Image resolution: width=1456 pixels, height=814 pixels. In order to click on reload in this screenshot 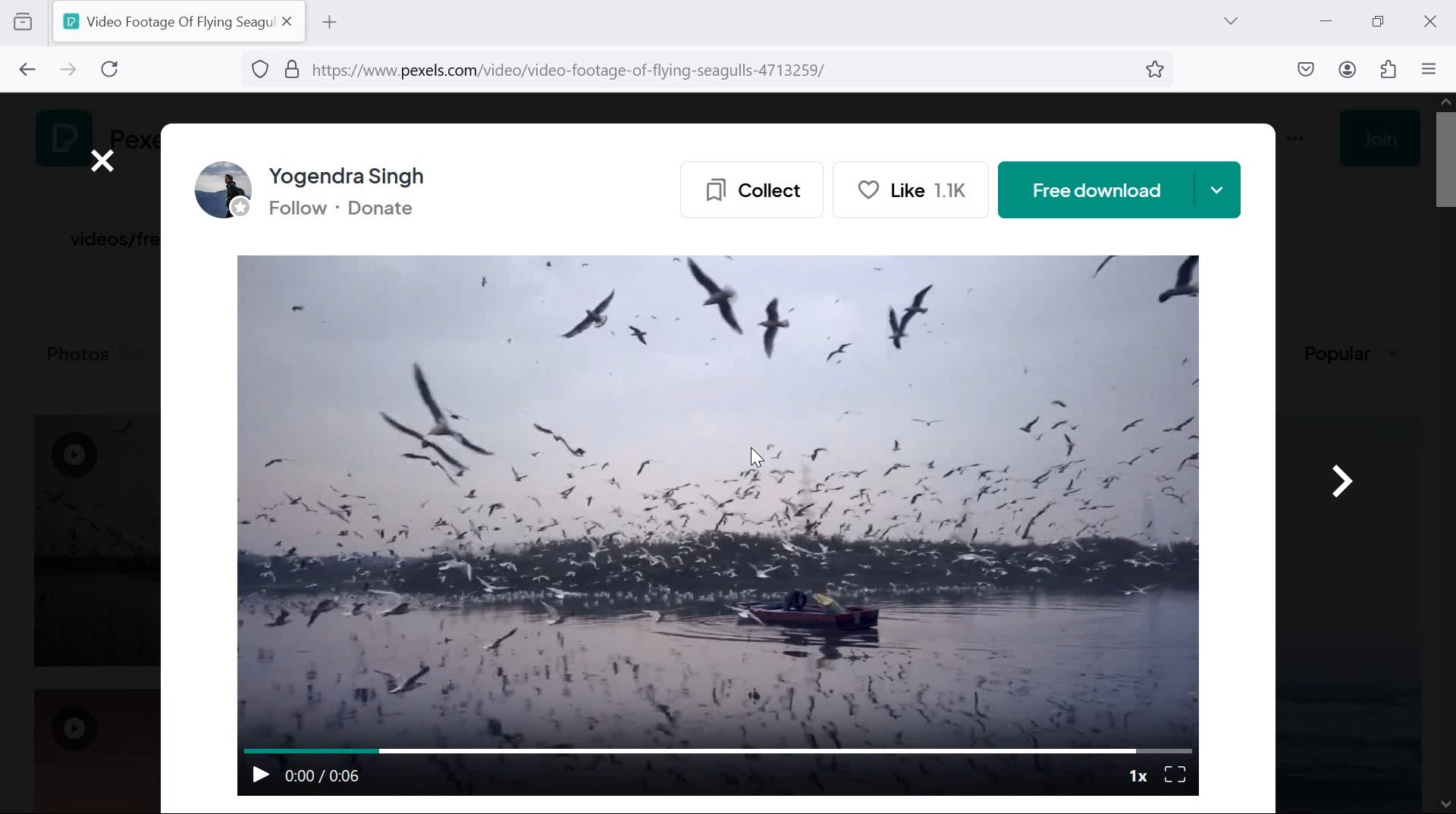, I will do `click(115, 70)`.